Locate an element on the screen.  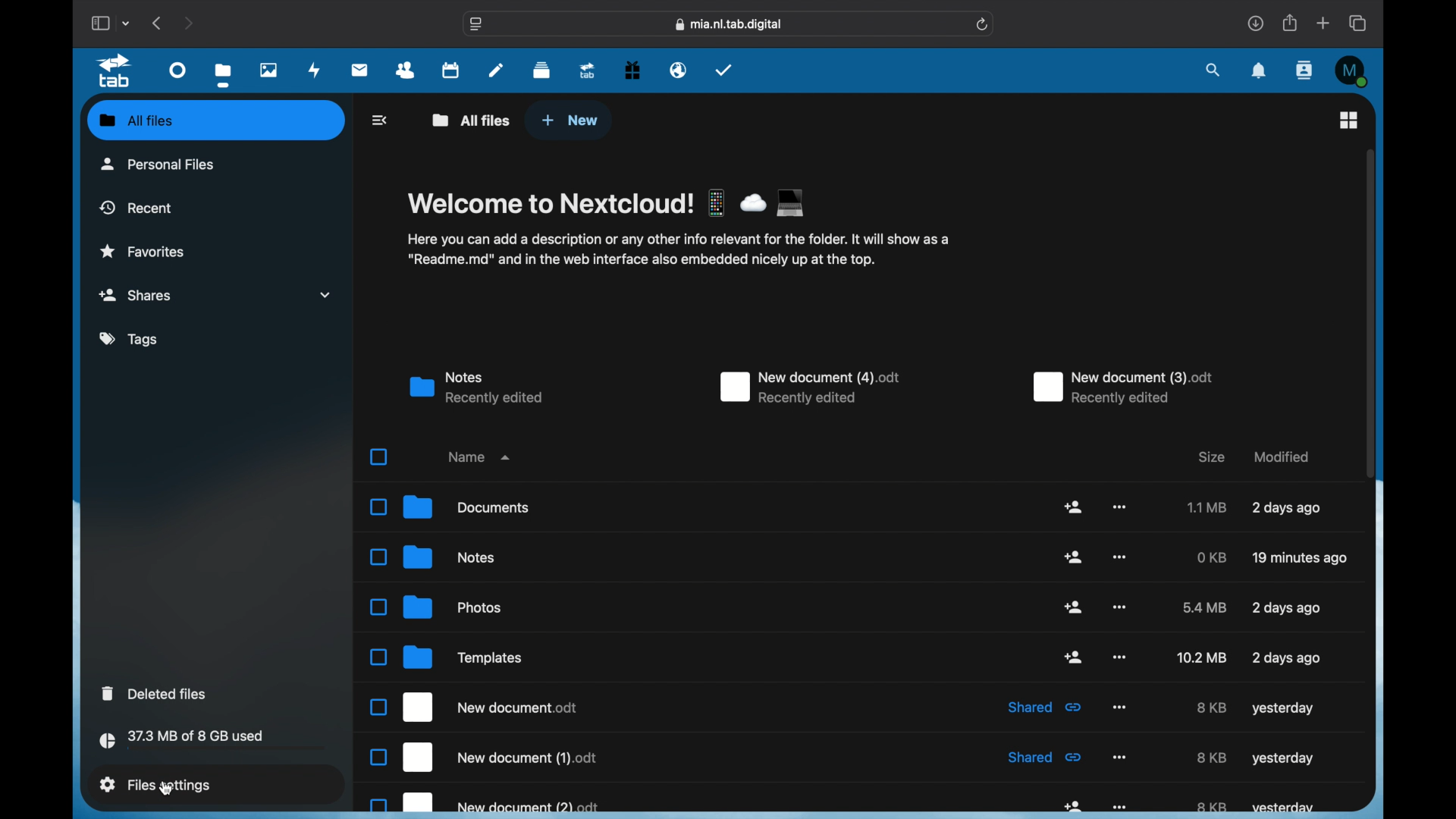
share is located at coordinates (1075, 806).